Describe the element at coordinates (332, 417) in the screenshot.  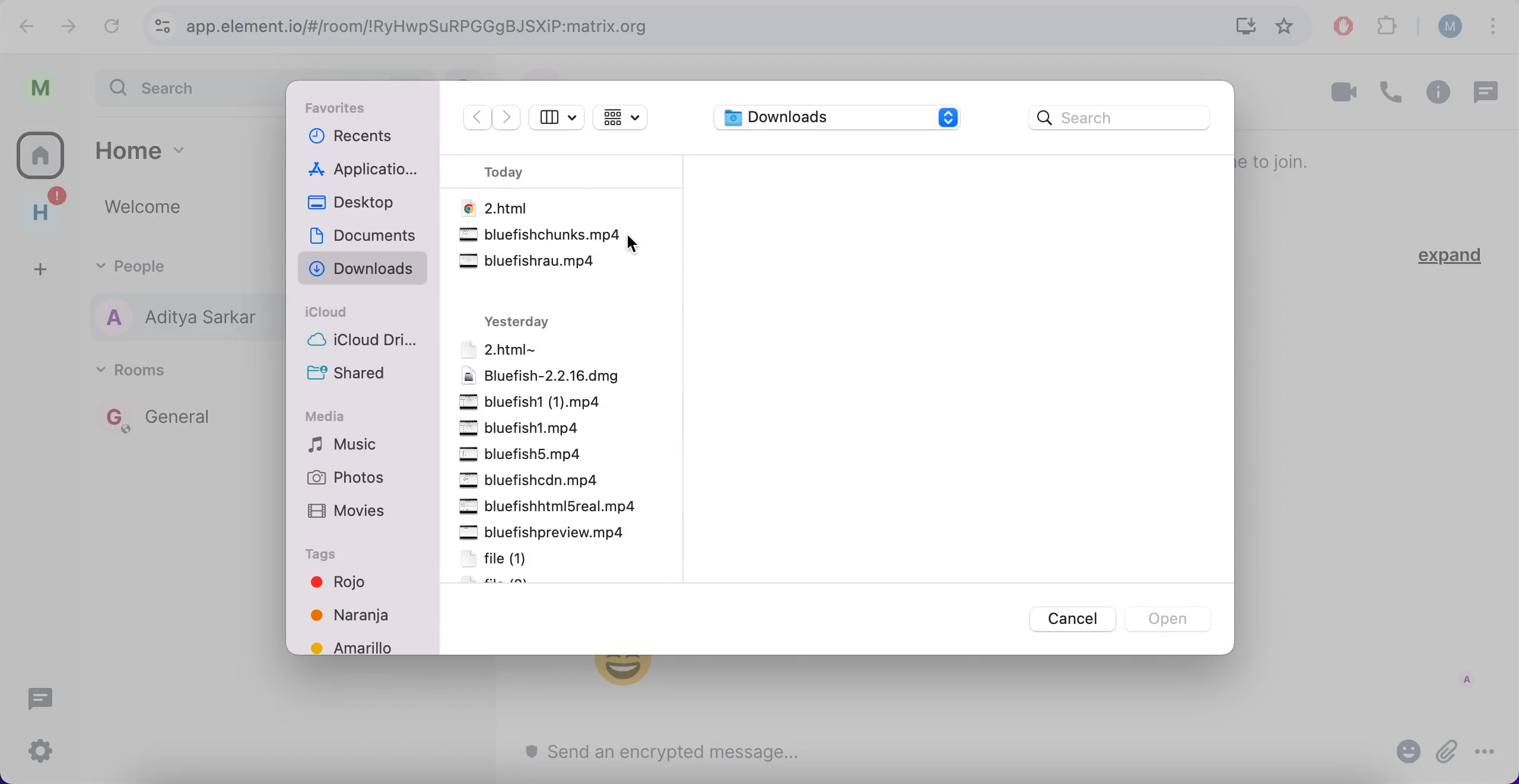
I see `media` at that location.